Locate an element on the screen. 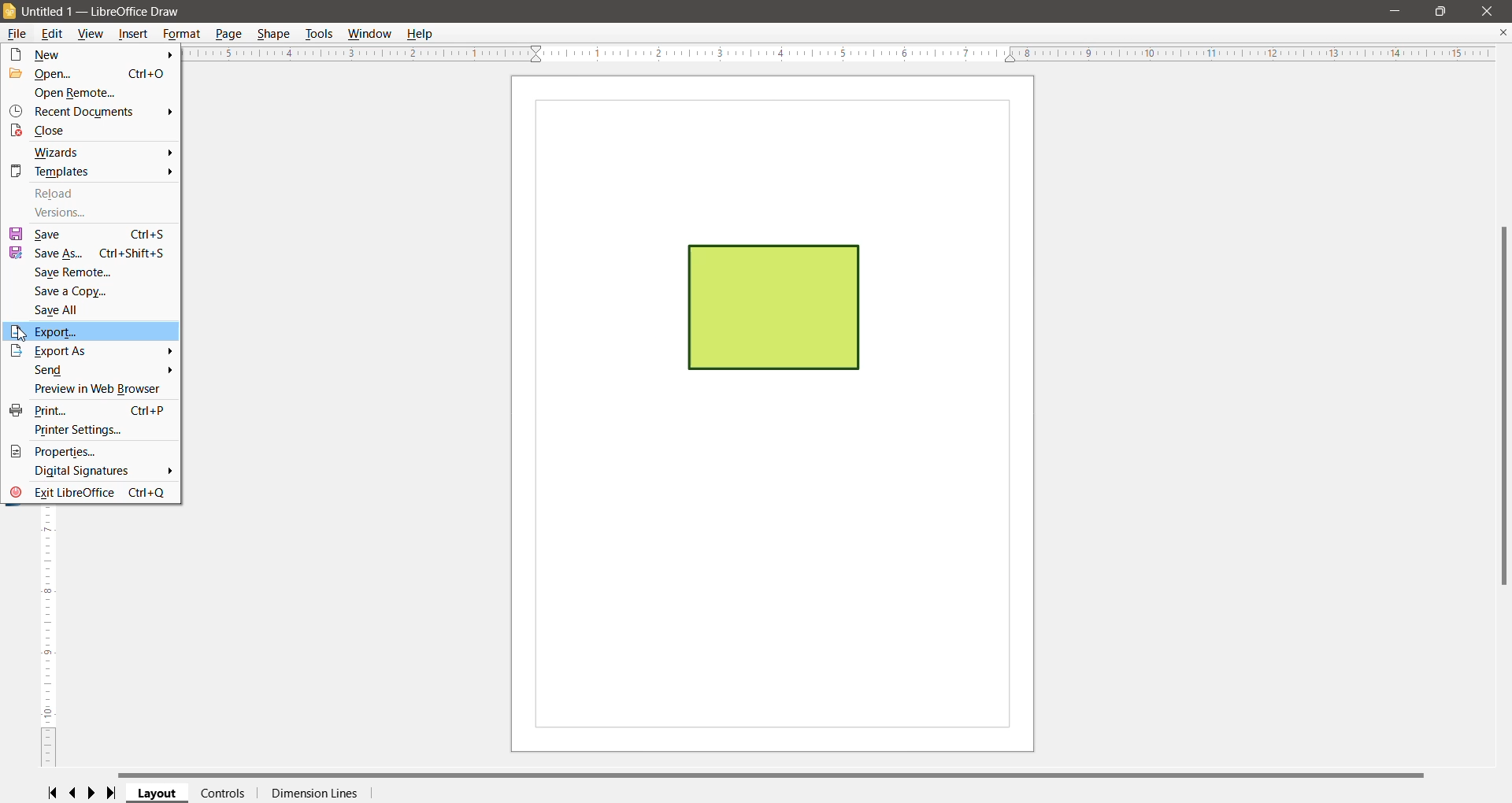 The width and height of the screenshot is (1512, 803). Print is located at coordinates (91, 410).